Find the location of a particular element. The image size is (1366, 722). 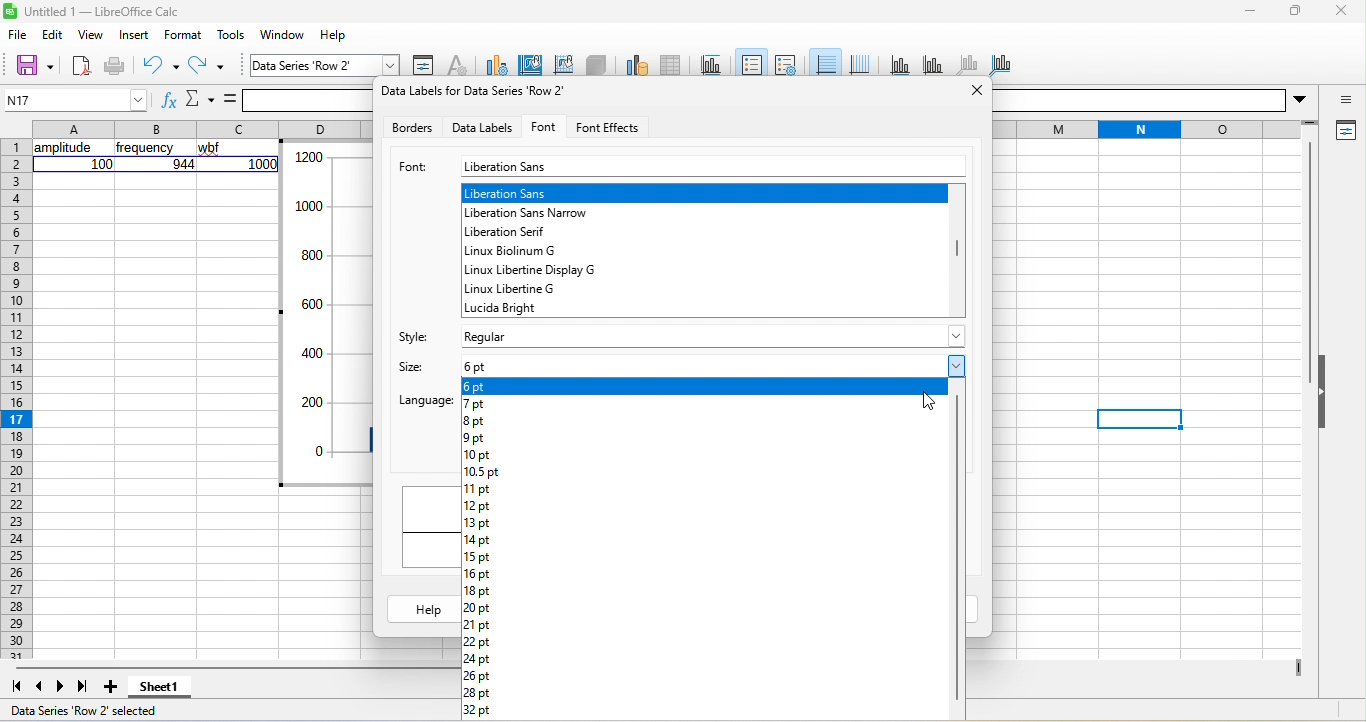

format is located at coordinates (183, 35).